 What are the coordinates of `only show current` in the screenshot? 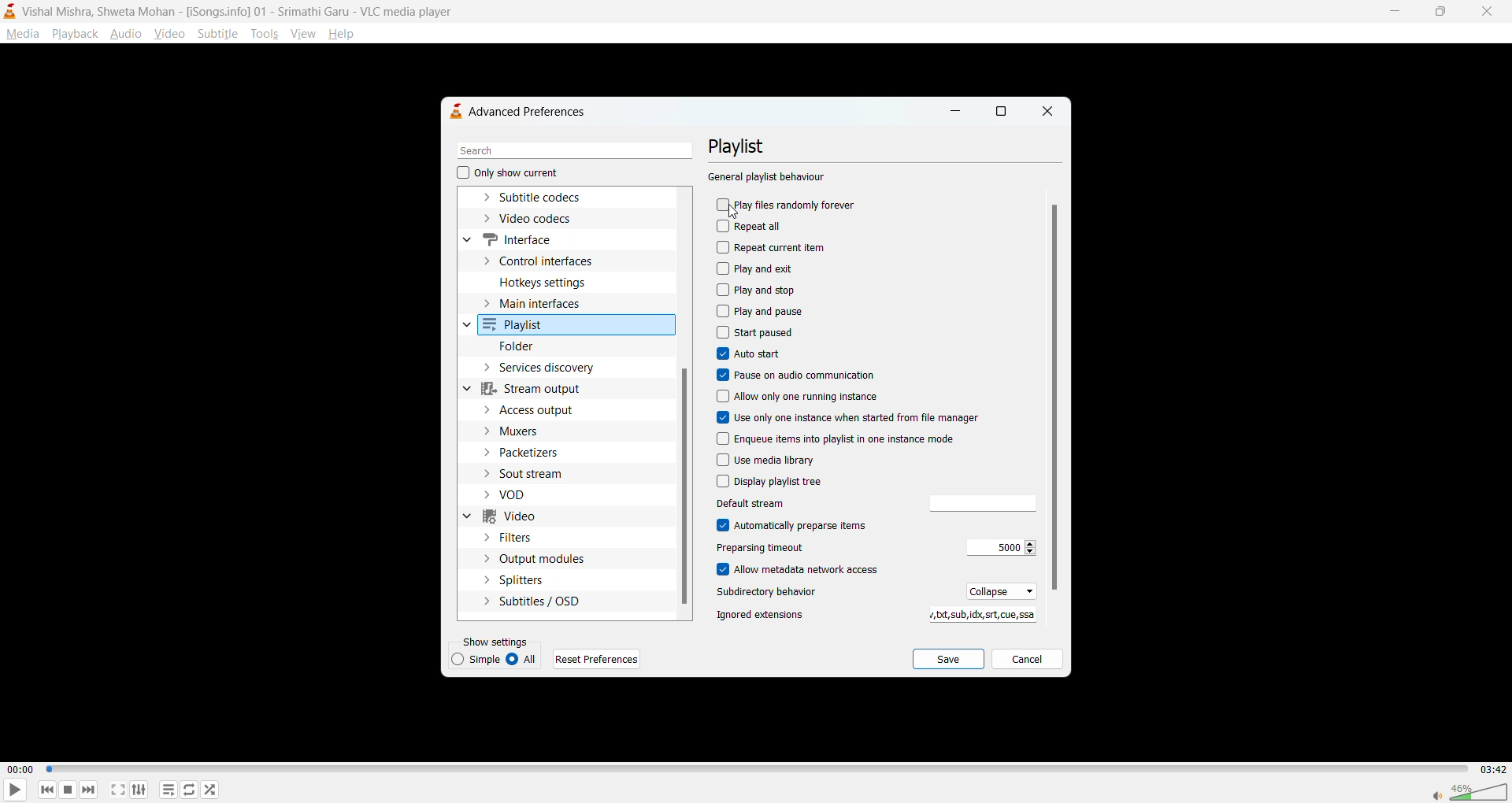 It's located at (508, 174).